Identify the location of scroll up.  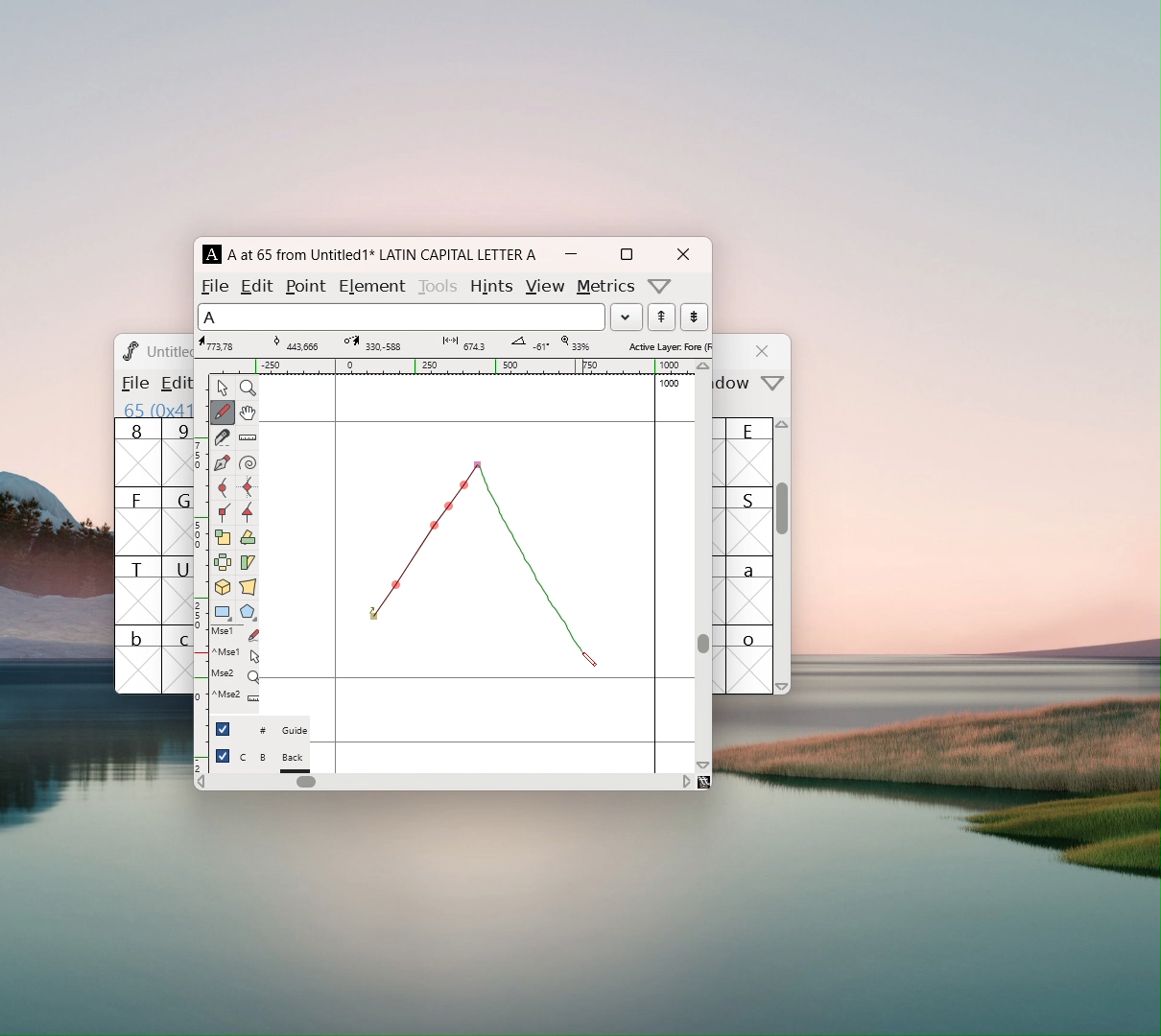
(784, 429).